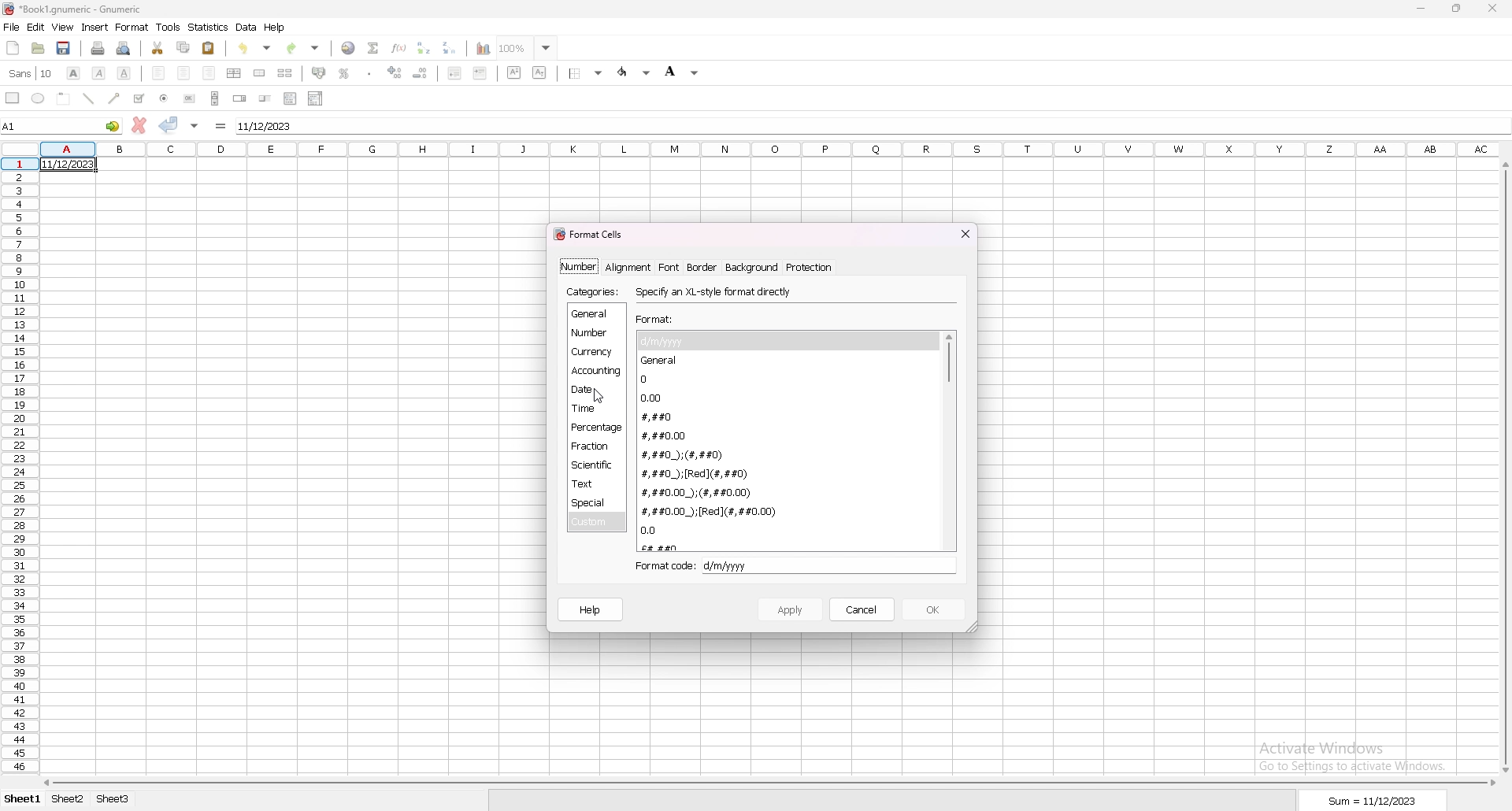 This screenshot has height=811, width=1512. What do you see at coordinates (669, 435) in the screenshot?
I see `#,##0.00` at bounding box center [669, 435].